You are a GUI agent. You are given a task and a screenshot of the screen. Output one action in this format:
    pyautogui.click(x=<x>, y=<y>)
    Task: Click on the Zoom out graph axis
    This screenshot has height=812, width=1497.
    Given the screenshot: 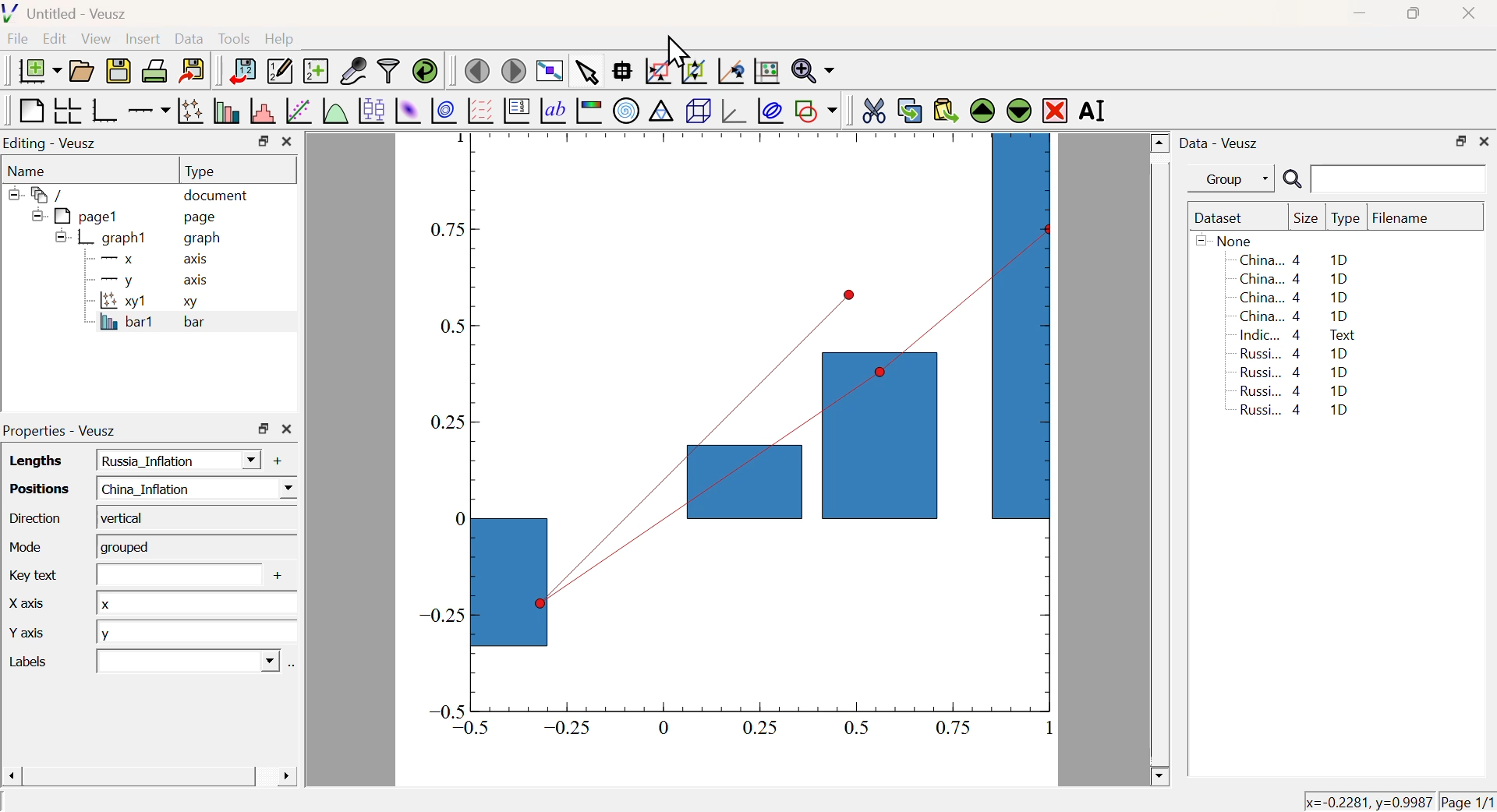 What is the action you would take?
    pyautogui.click(x=693, y=69)
    